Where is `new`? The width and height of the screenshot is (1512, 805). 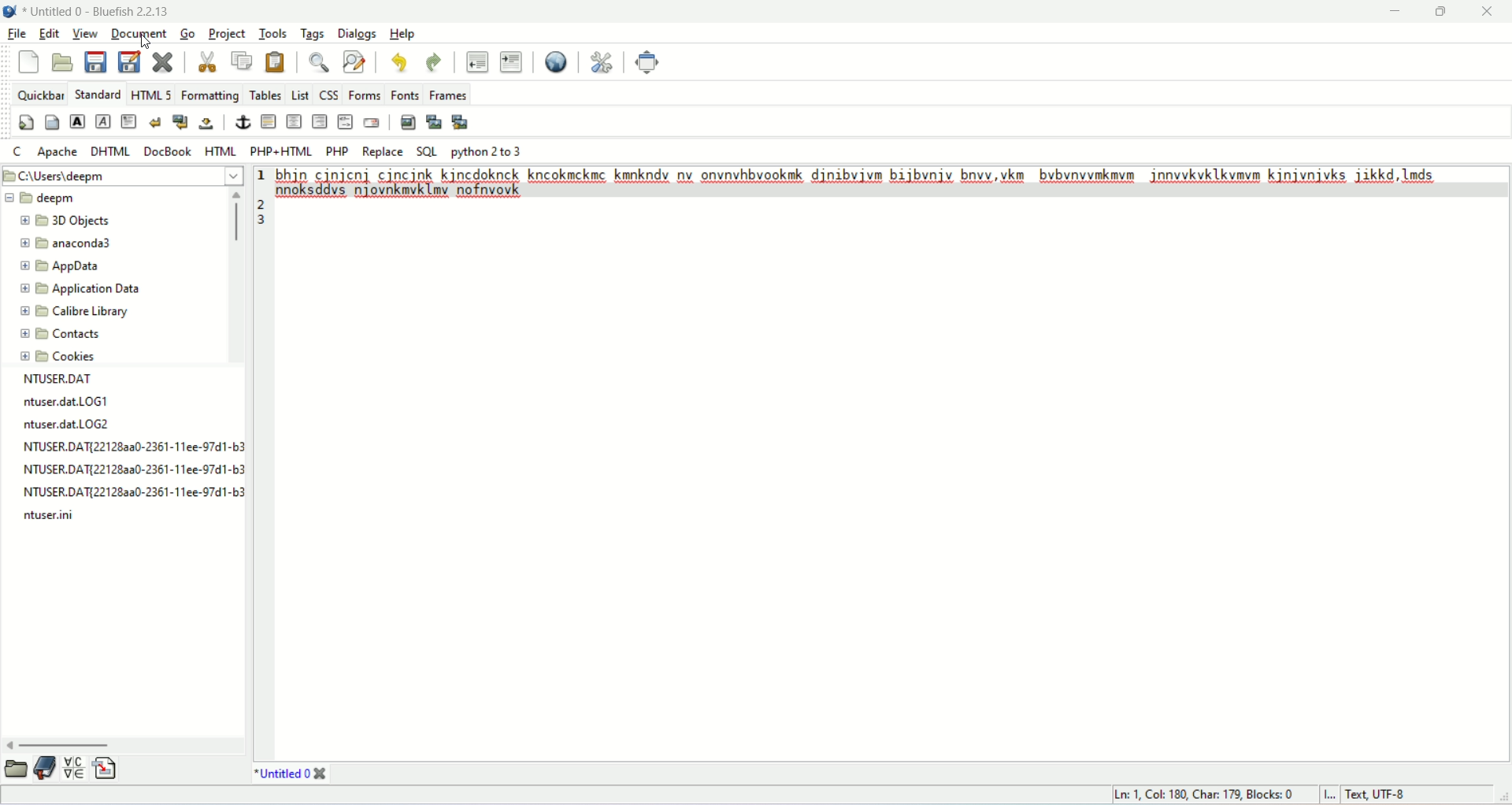
new is located at coordinates (27, 61).